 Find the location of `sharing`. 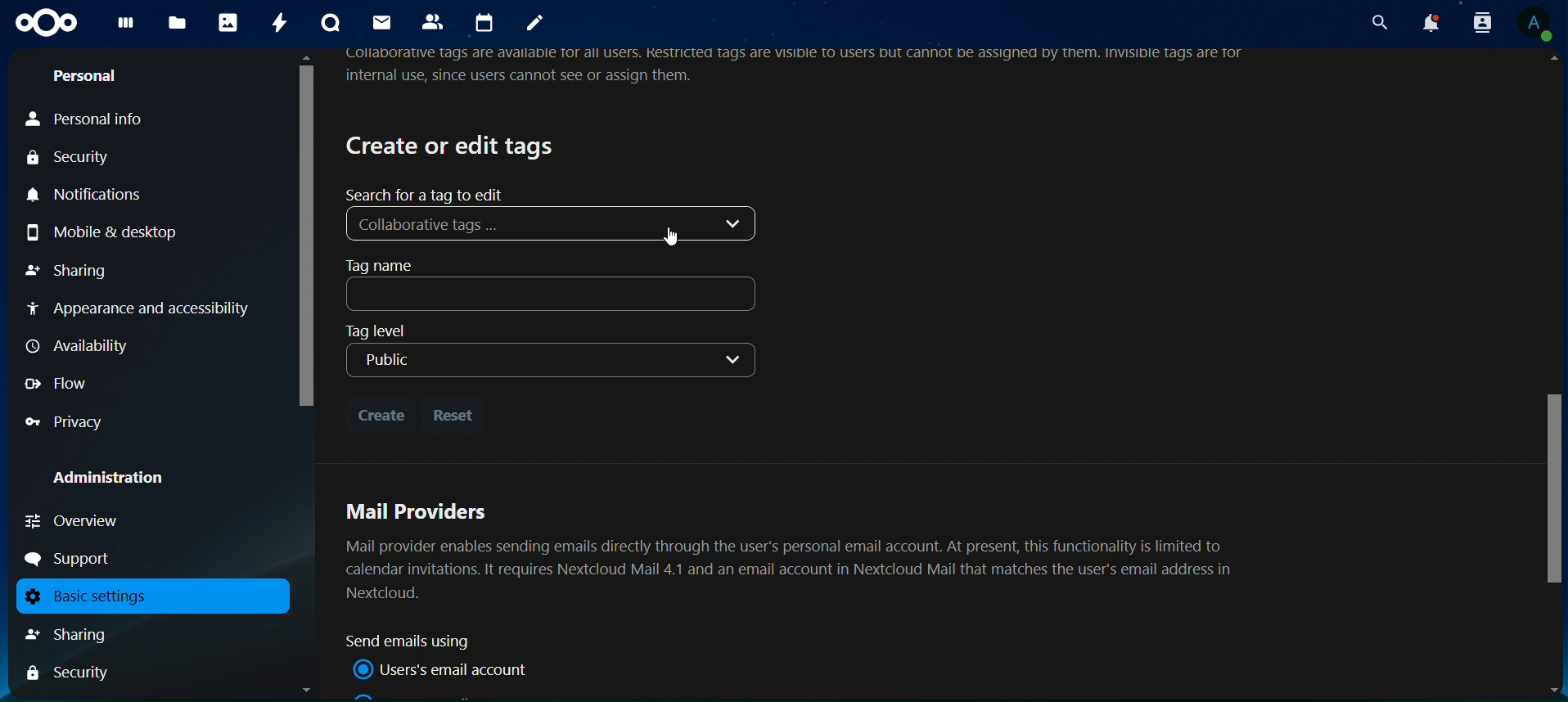

sharing is located at coordinates (70, 269).